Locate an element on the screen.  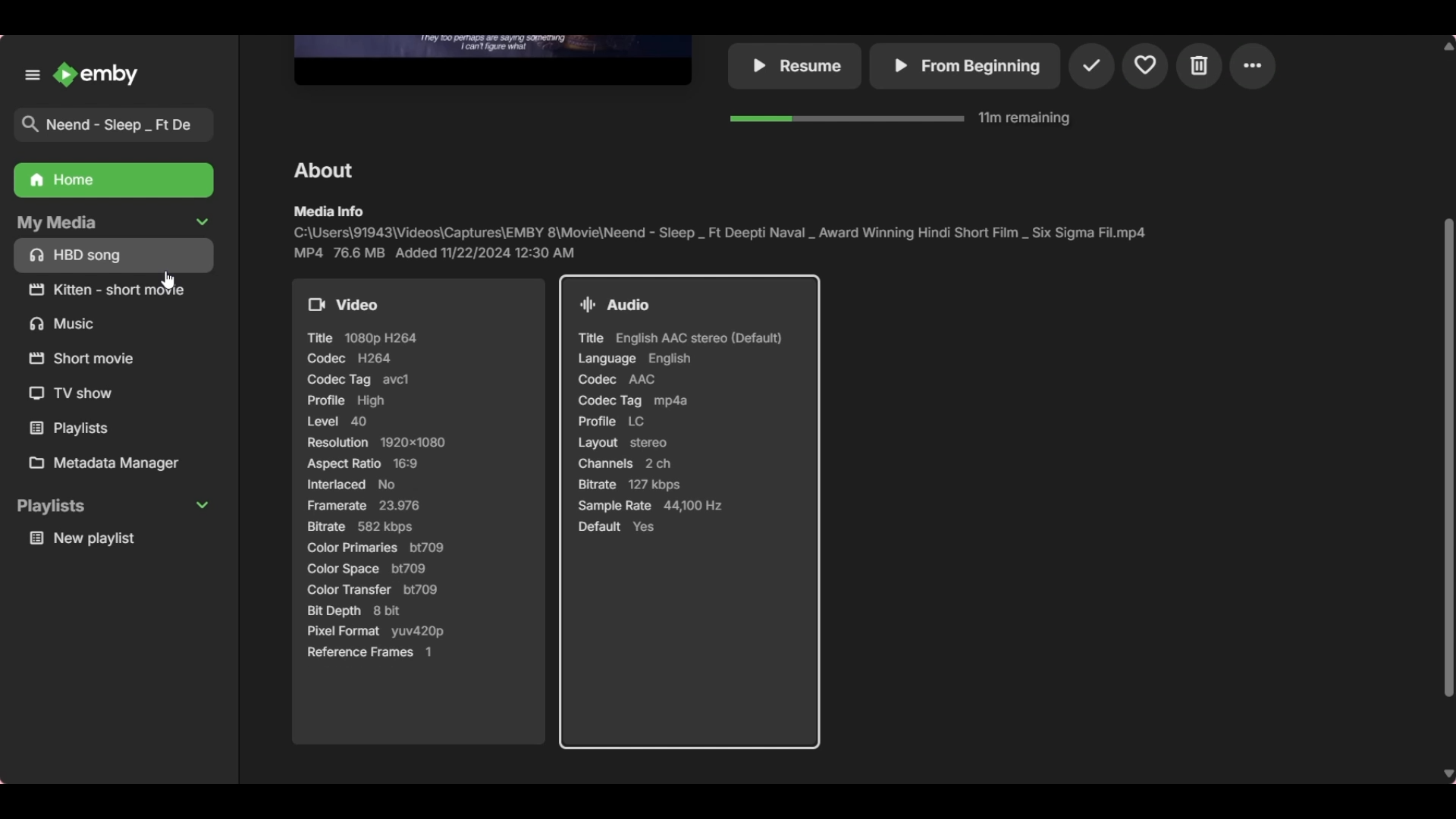
Media files under My Media is located at coordinates (115, 254).